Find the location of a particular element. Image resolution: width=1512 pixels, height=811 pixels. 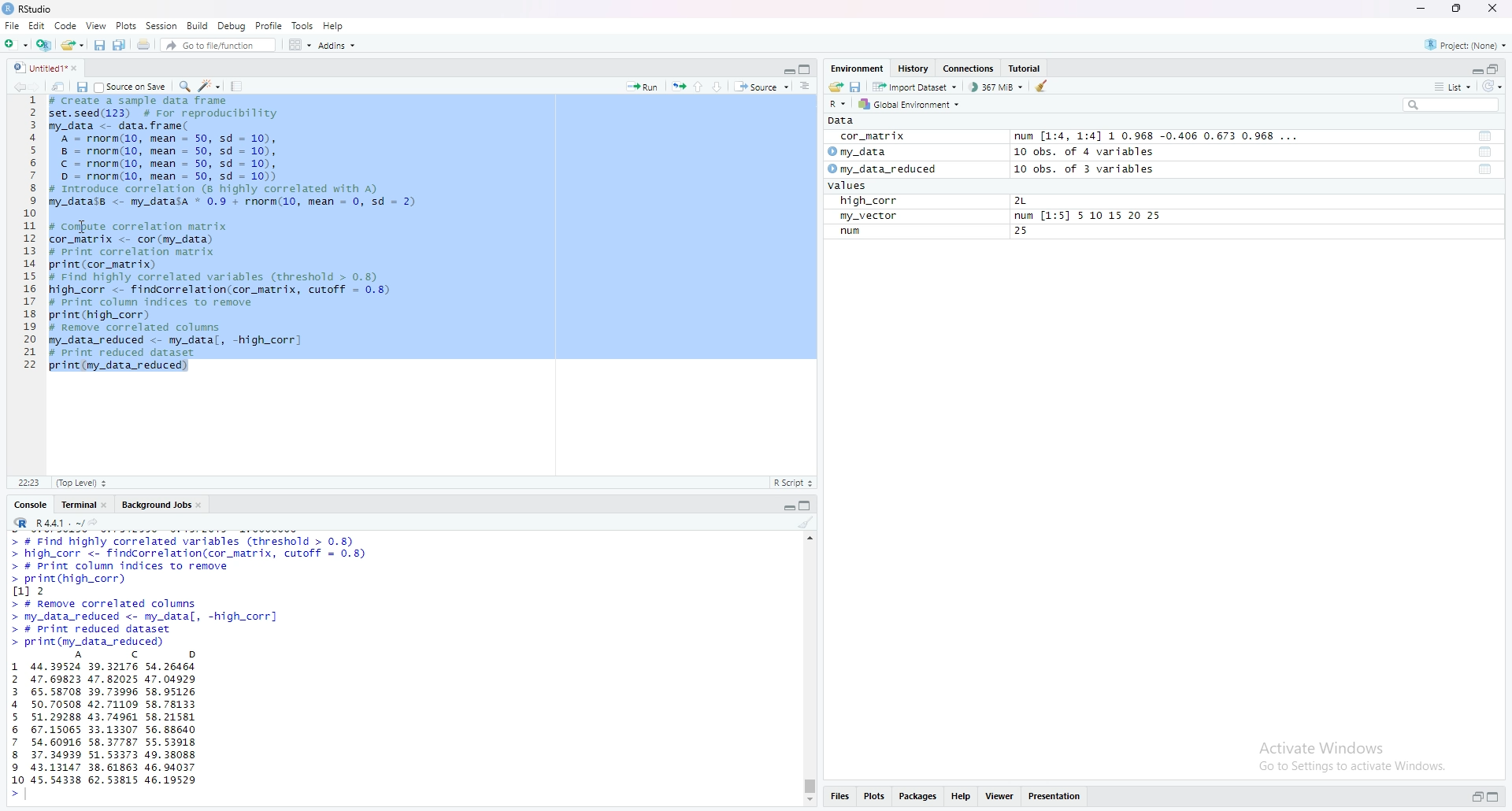

tool is located at coordinates (1488, 169).